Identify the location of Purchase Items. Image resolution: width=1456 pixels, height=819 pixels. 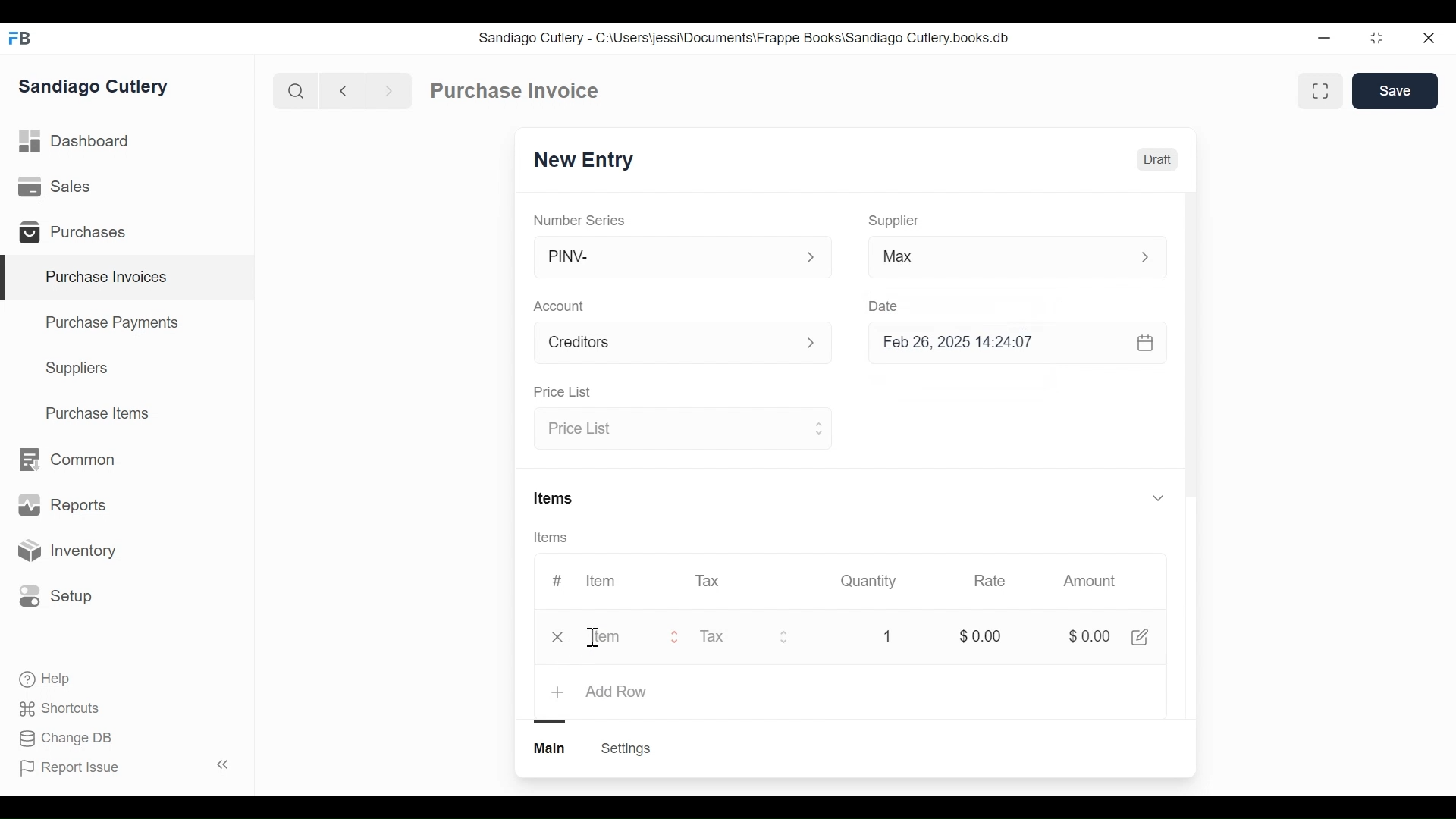
(98, 415).